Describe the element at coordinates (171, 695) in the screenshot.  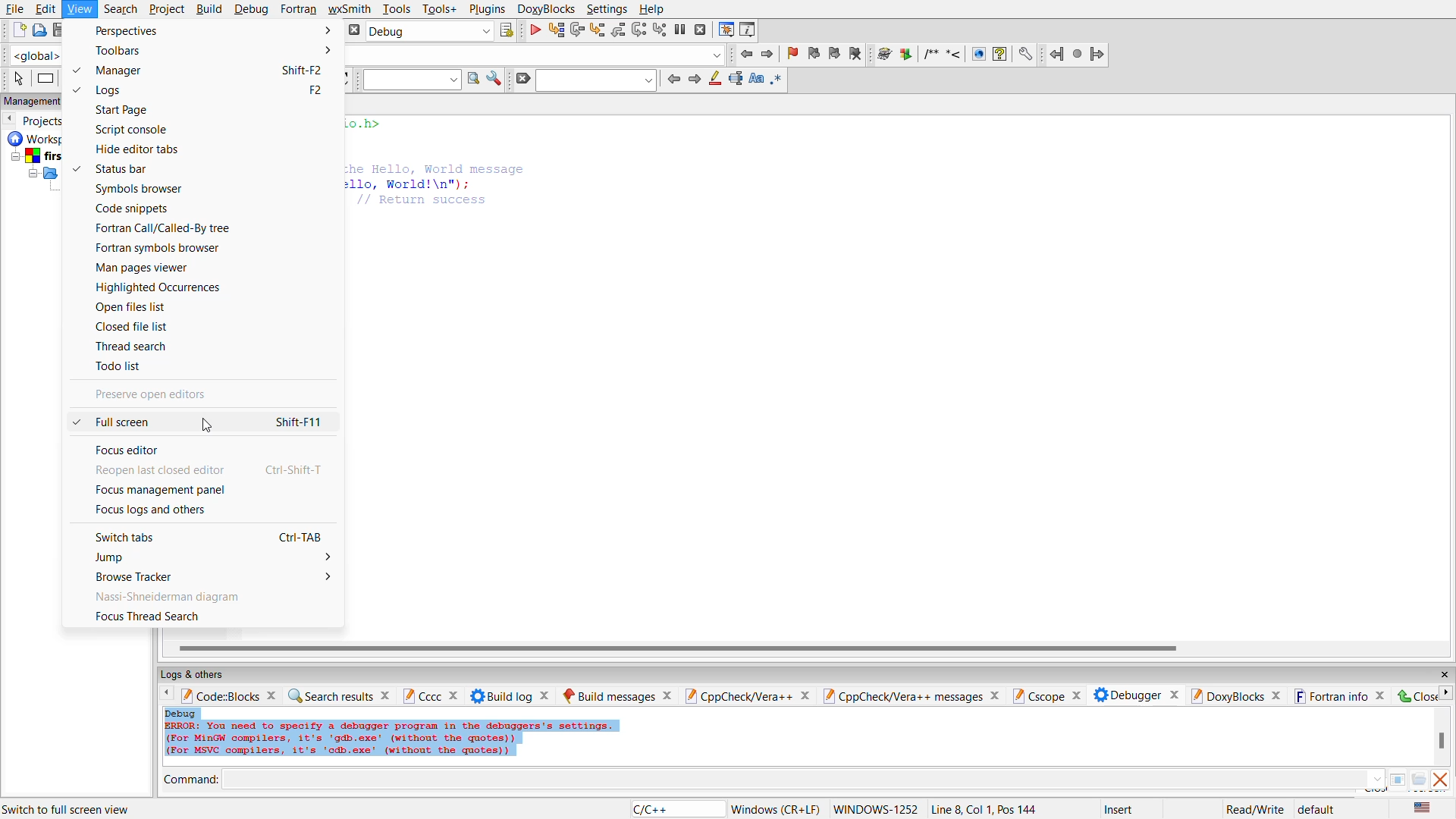
I see `back` at that location.